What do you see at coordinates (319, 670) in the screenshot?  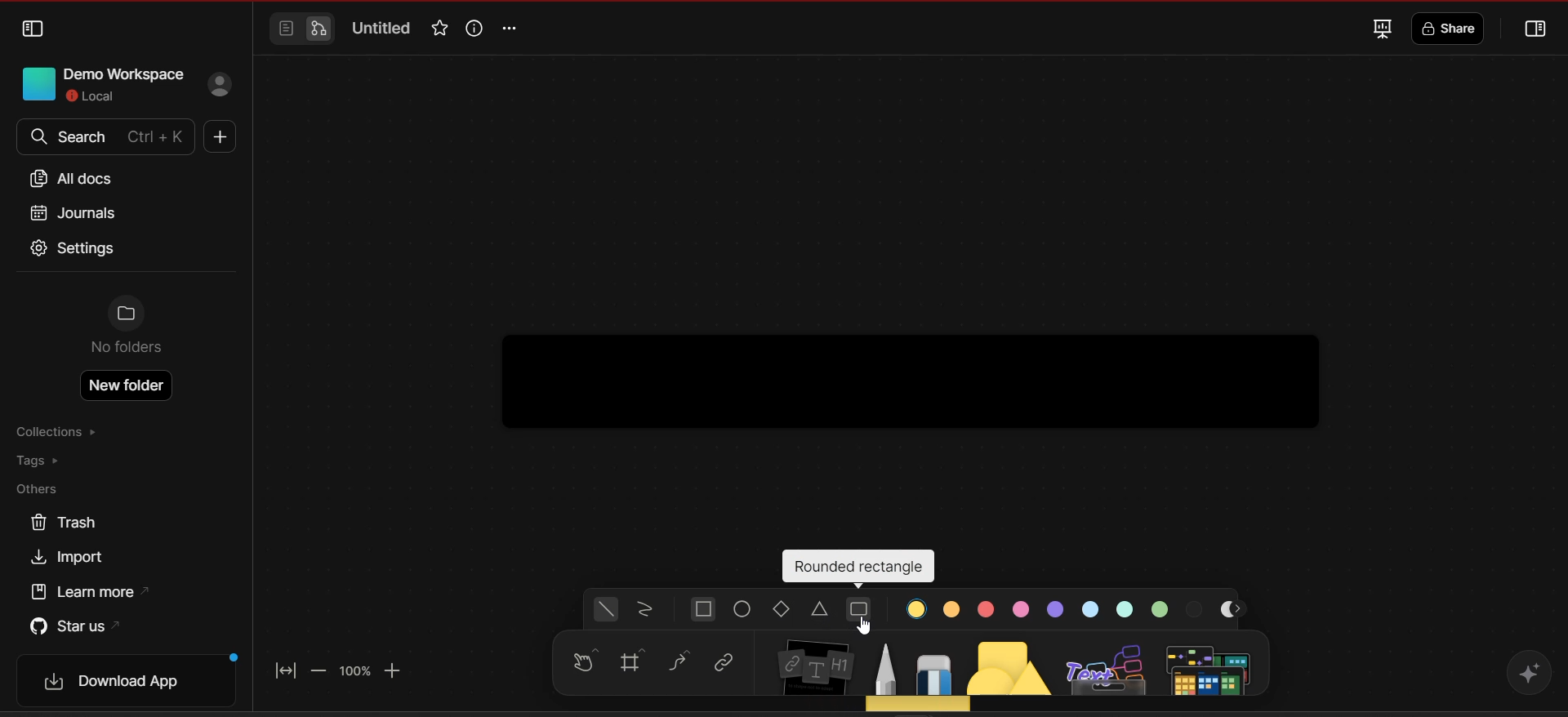 I see `zoom out` at bounding box center [319, 670].